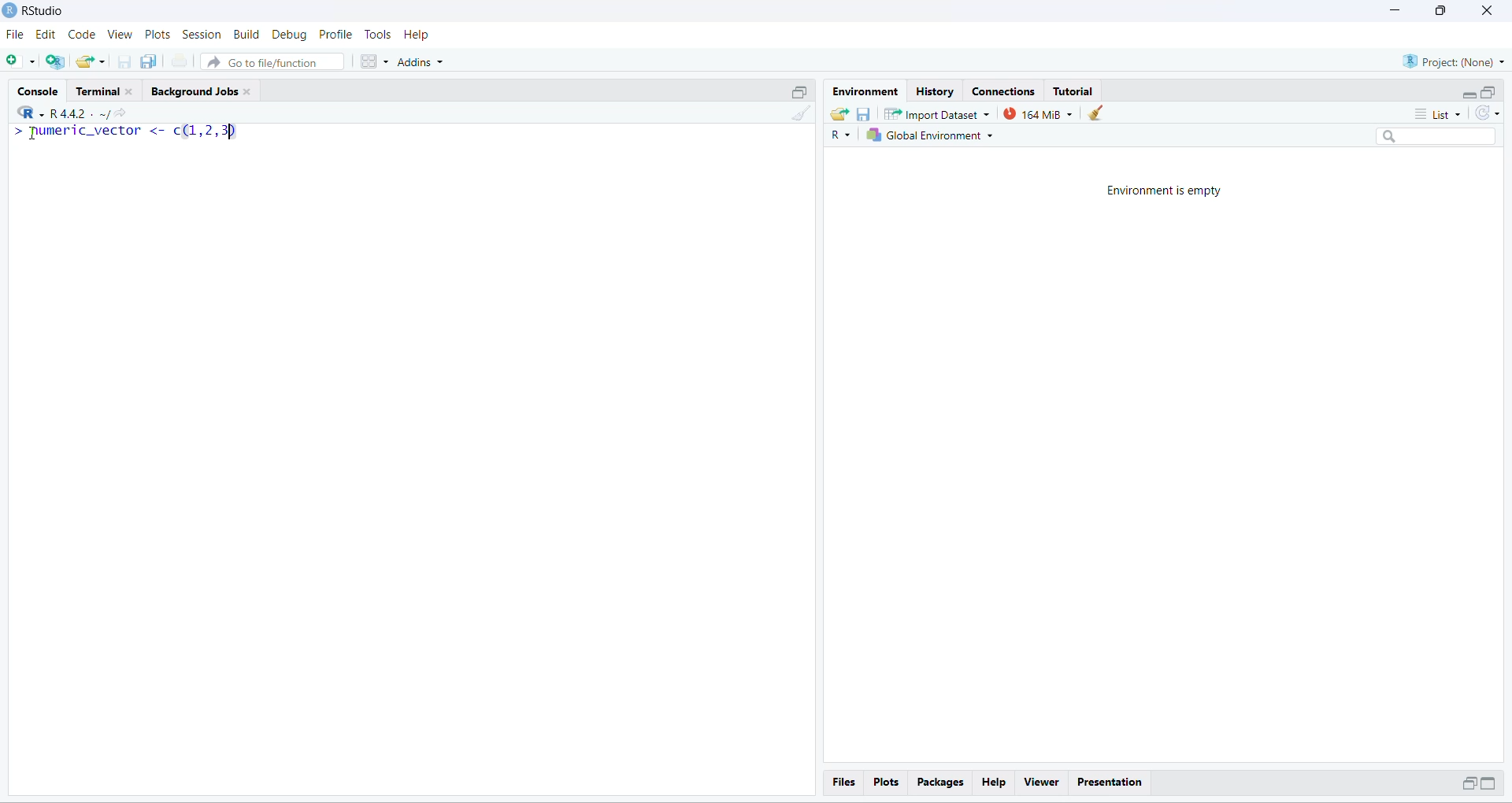  What do you see at coordinates (844, 782) in the screenshot?
I see `Files` at bounding box center [844, 782].